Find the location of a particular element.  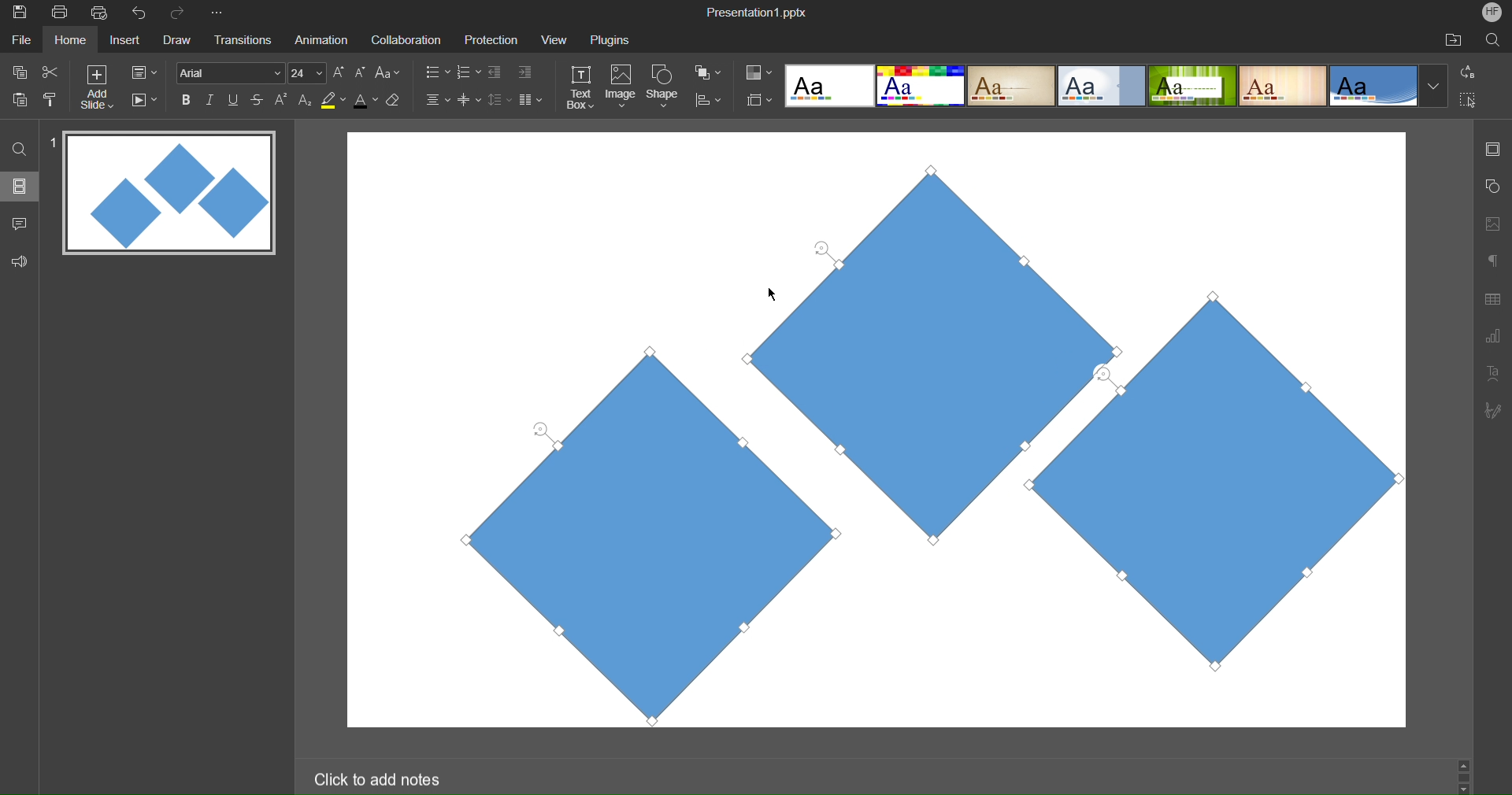

Paragraph Settings is located at coordinates (1493, 260).